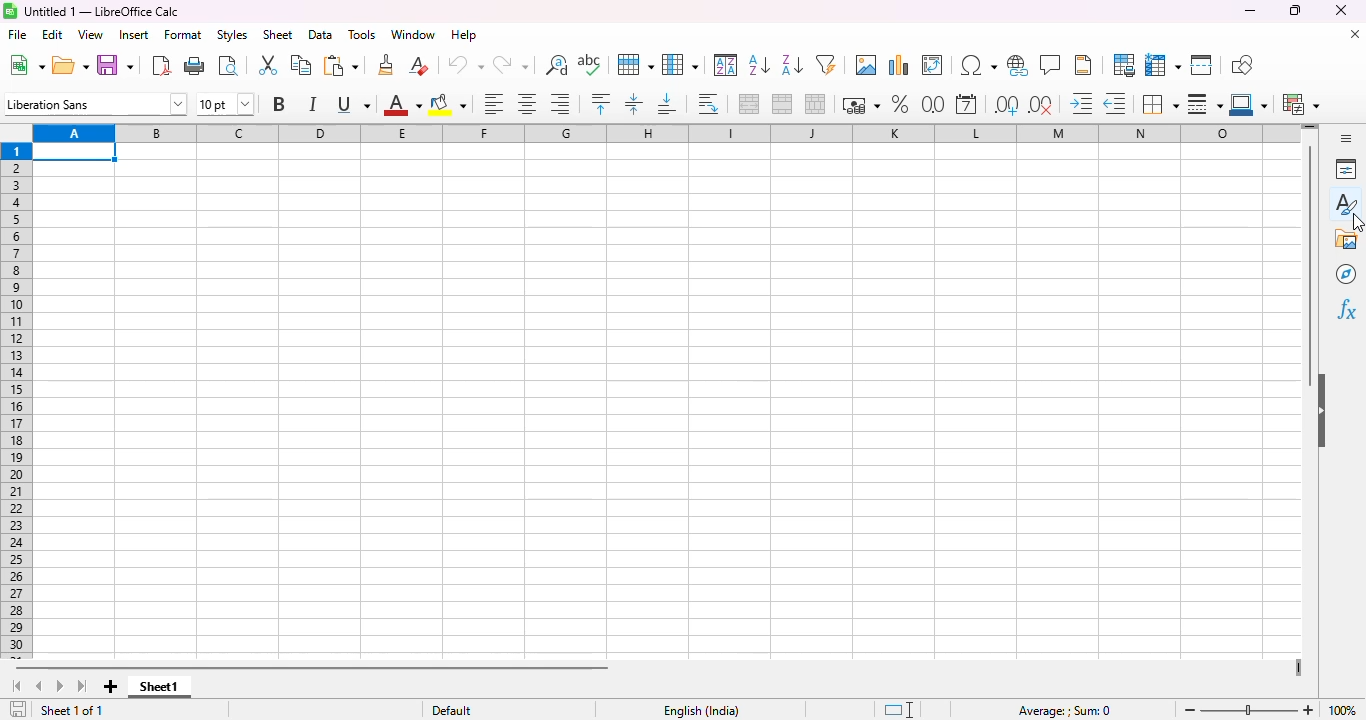 This screenshot has height=720, width=1366. What do you see at coordinates (700, 711) in the screenshot?
I see `text language` at bounding box center [700, 711].